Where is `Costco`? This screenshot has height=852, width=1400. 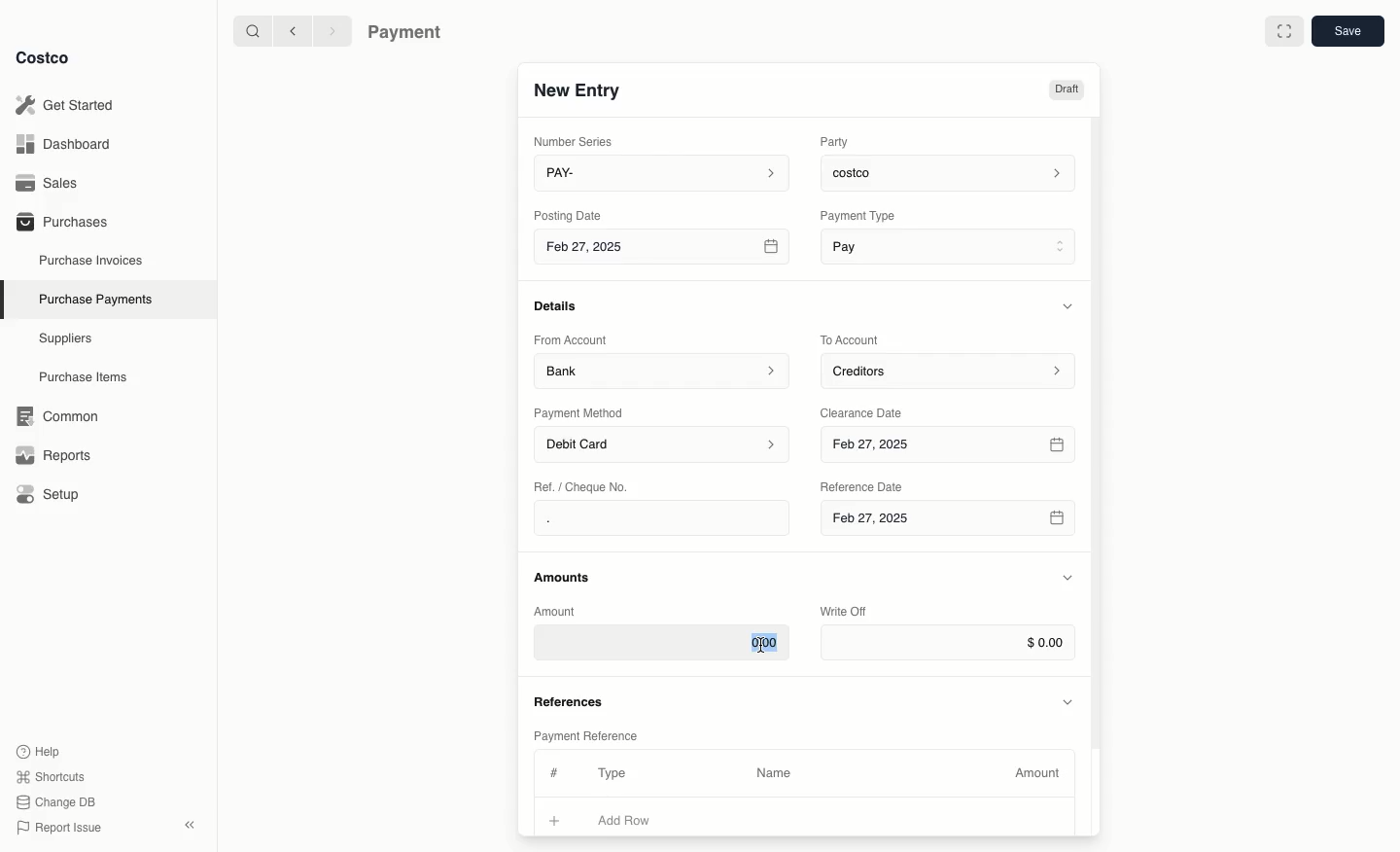
Costco is located at coordinates (42, 57).